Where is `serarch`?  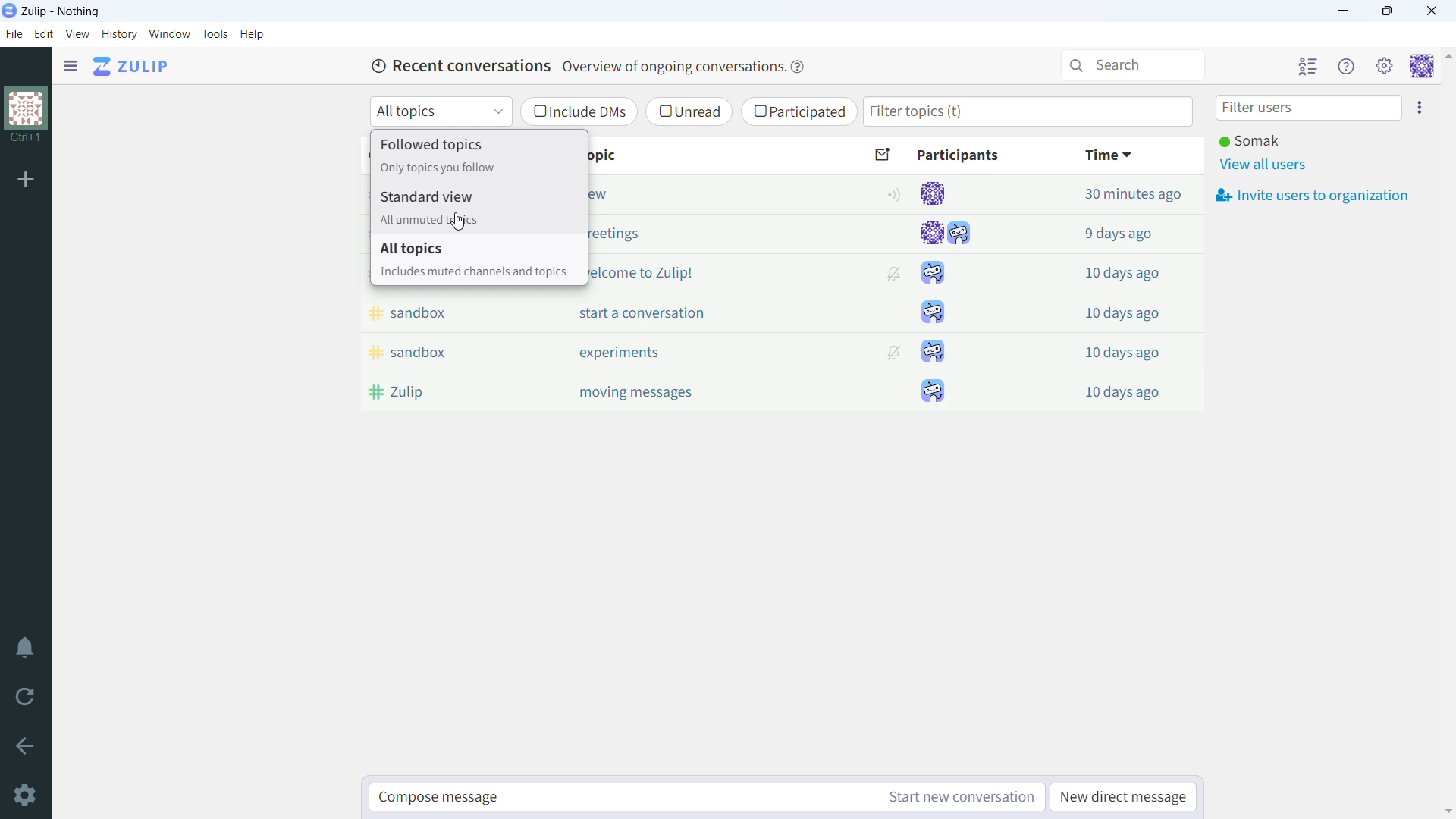 serarch is located at coordinates (1132, 65).